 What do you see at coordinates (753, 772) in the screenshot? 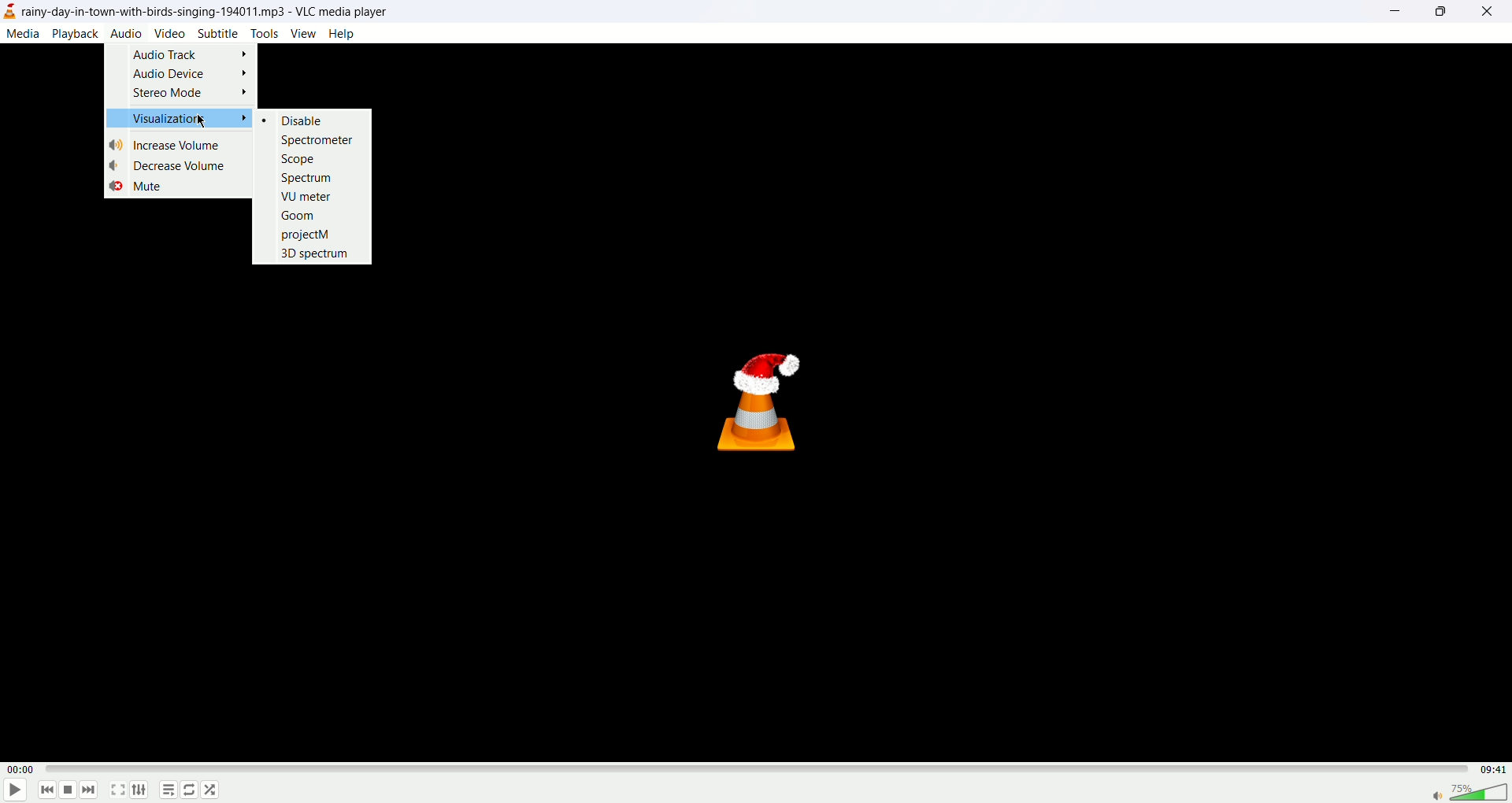
I see `progress bar` at bounding box center [753, 772].